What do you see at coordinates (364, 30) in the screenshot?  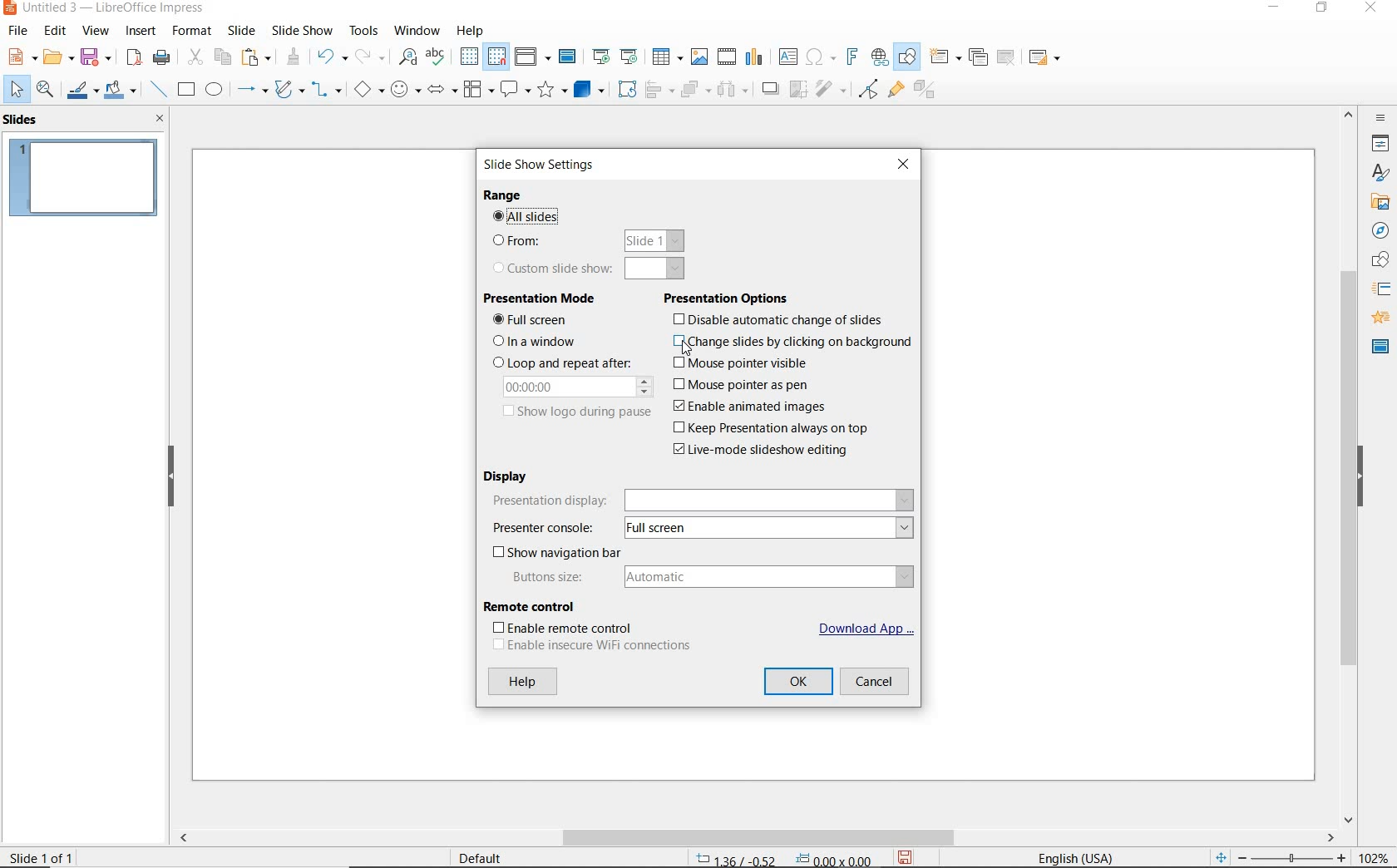 I see `TOOLS` at bounding box center [364, 30].